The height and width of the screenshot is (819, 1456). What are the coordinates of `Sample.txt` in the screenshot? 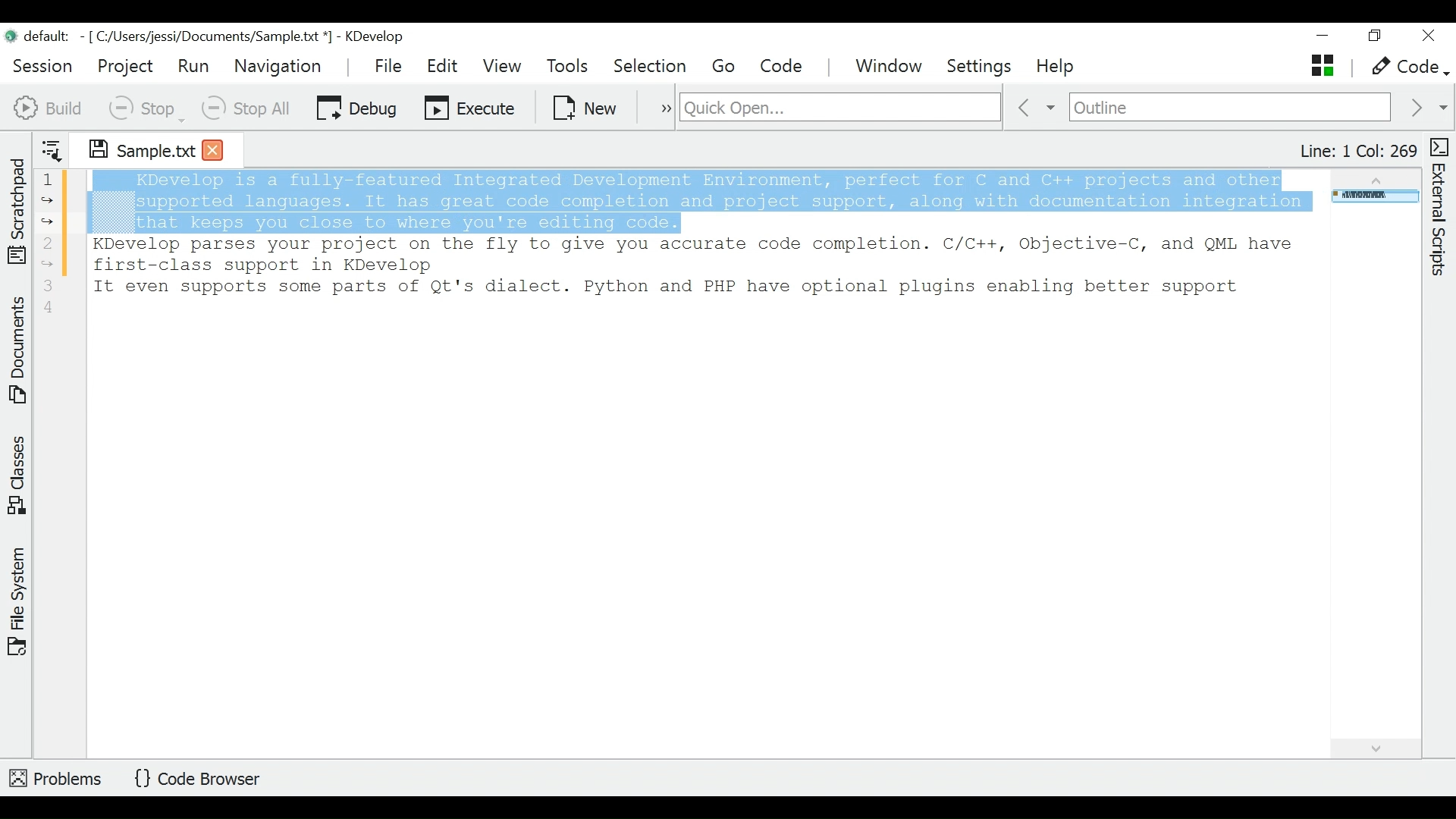 It's located at (131, 147).